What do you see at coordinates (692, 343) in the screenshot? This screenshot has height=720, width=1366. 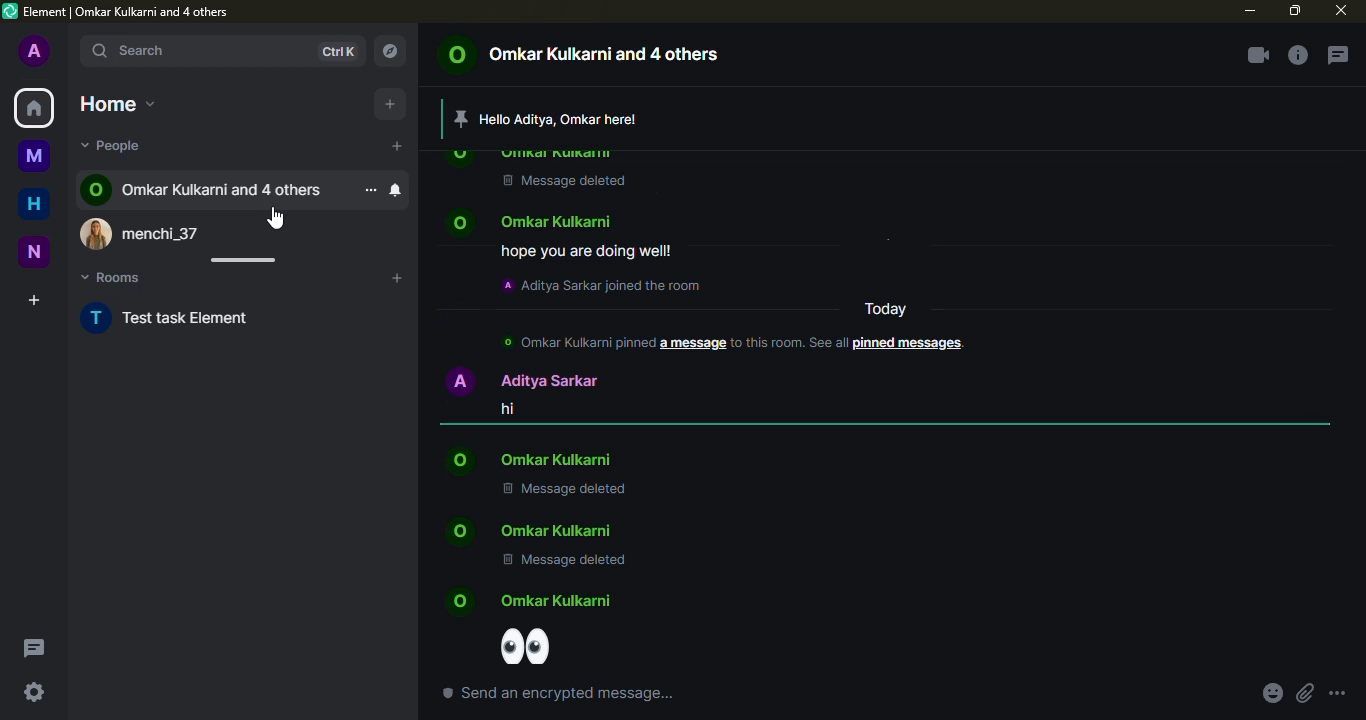 I see `a message` at bounding box center [692, 343].